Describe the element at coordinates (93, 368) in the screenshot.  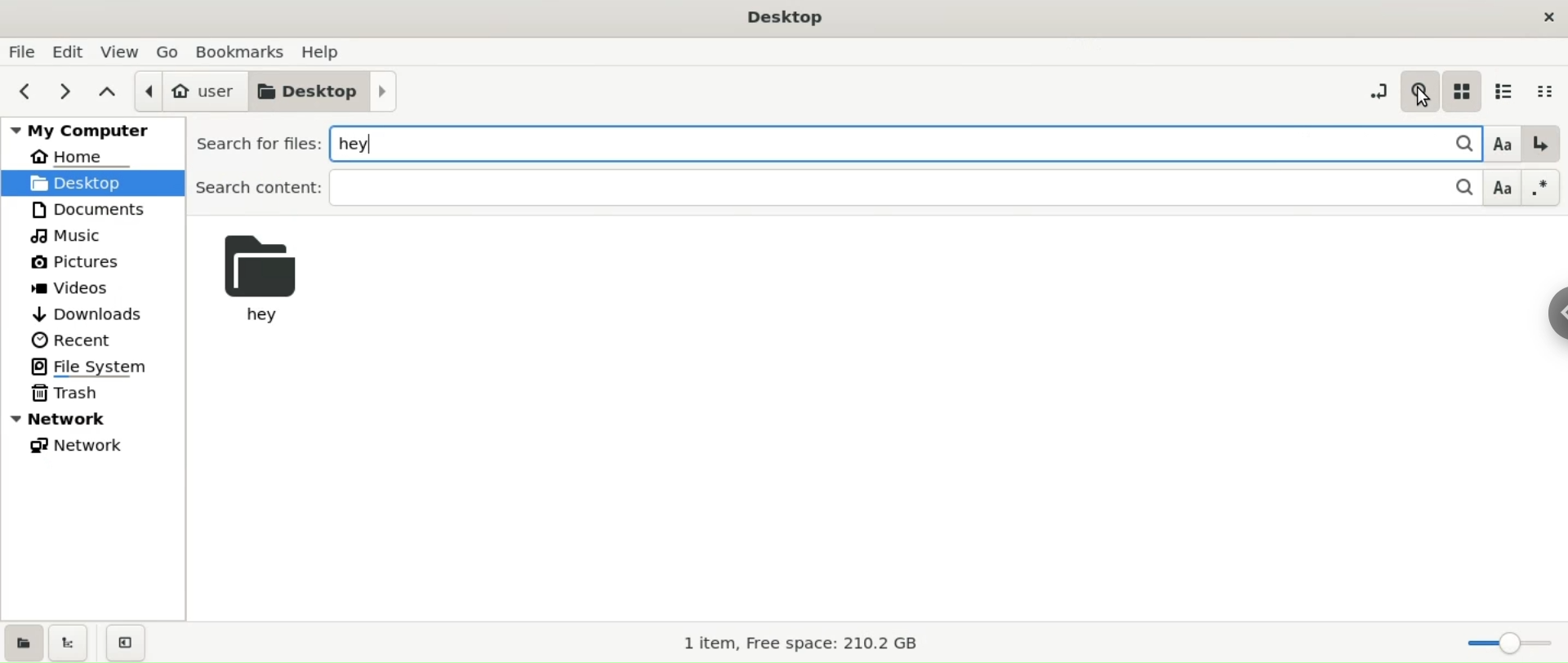
I see `file system` at that location.